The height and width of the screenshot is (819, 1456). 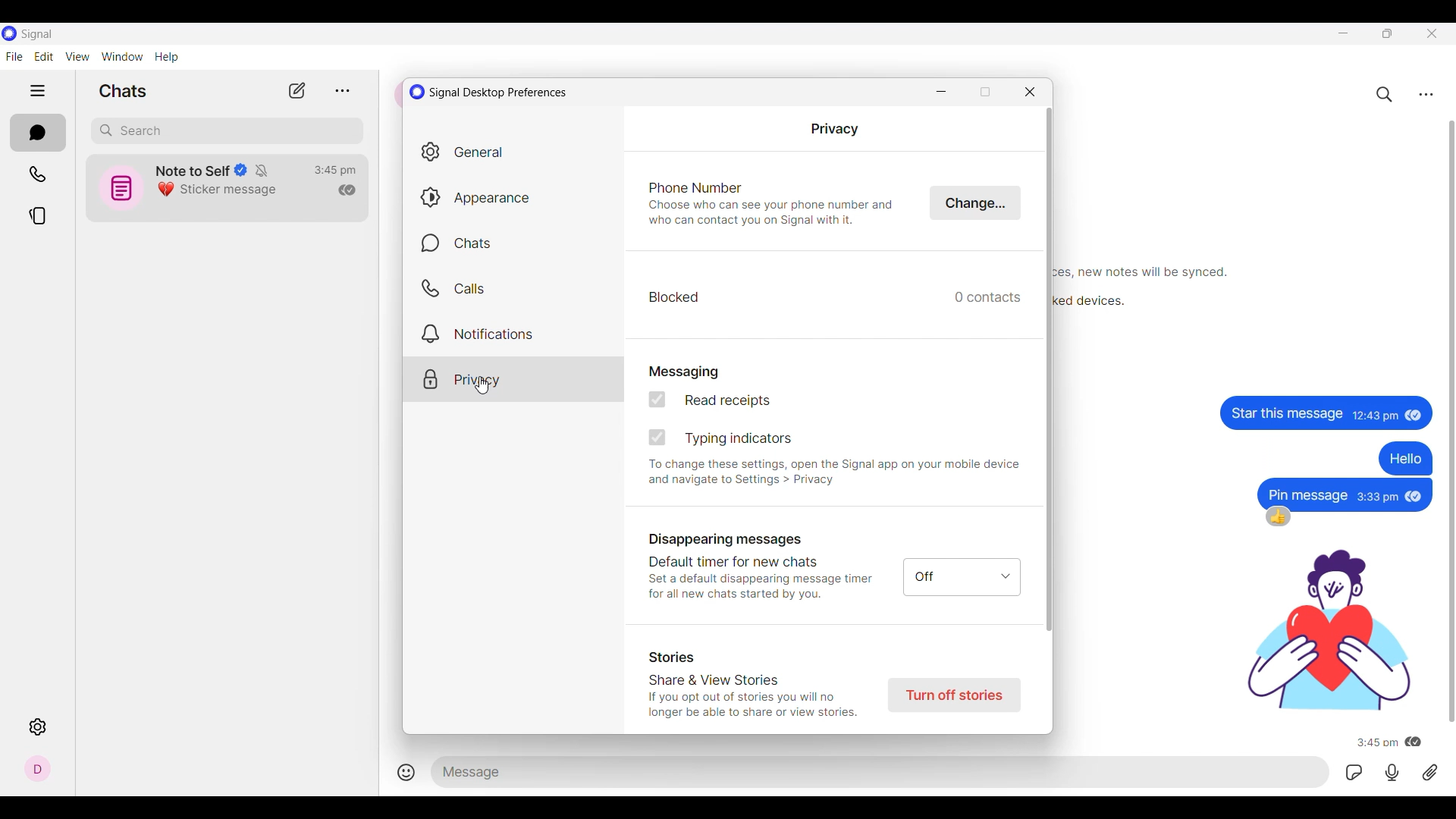 I want to click on thumbsup, so click(x=1279, y=517).